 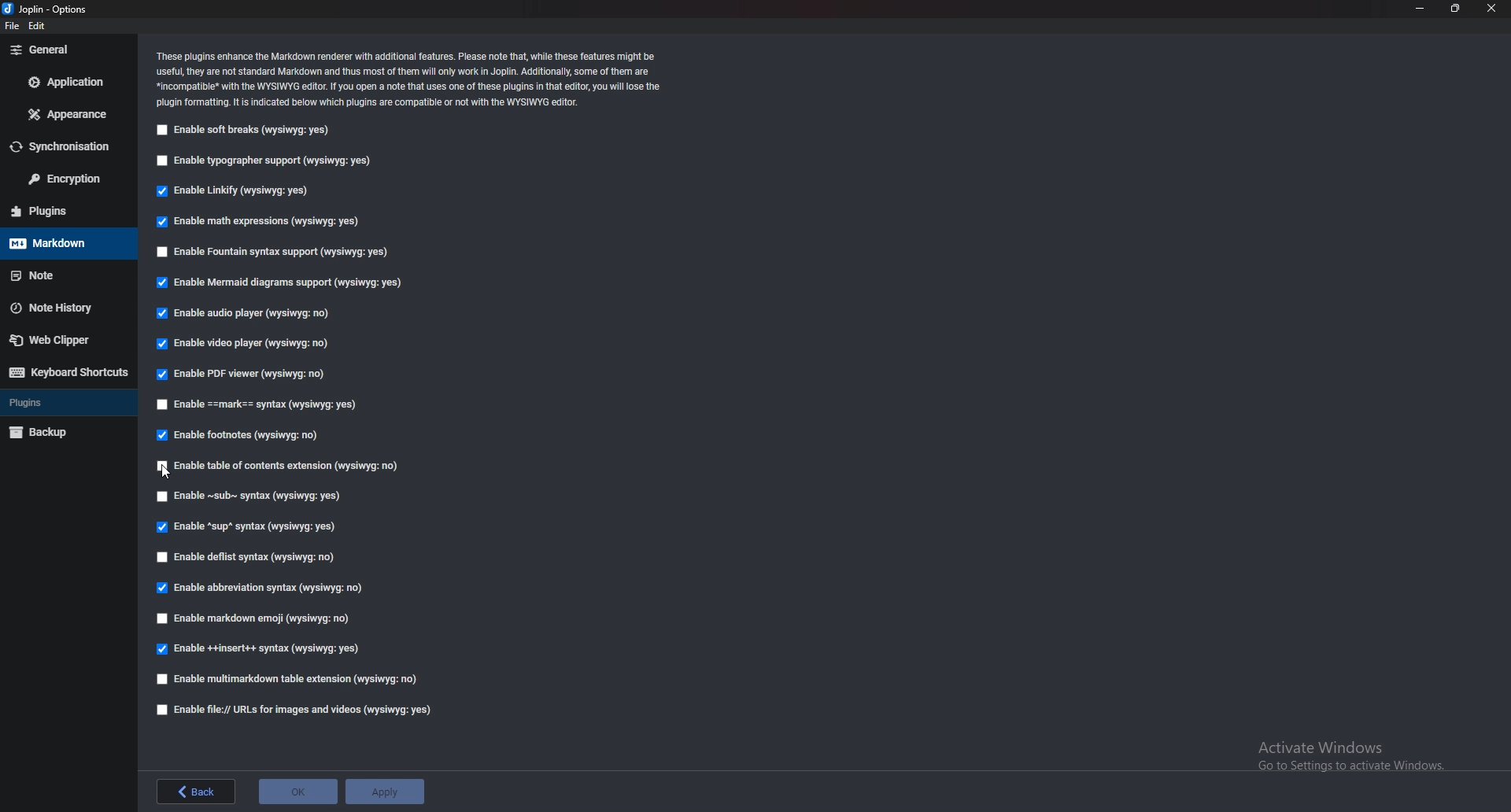 What do you see at coordinates (274, 253) in the screenshot?
I see `Enable fountain syntax support` at bounding box center [274, 253].